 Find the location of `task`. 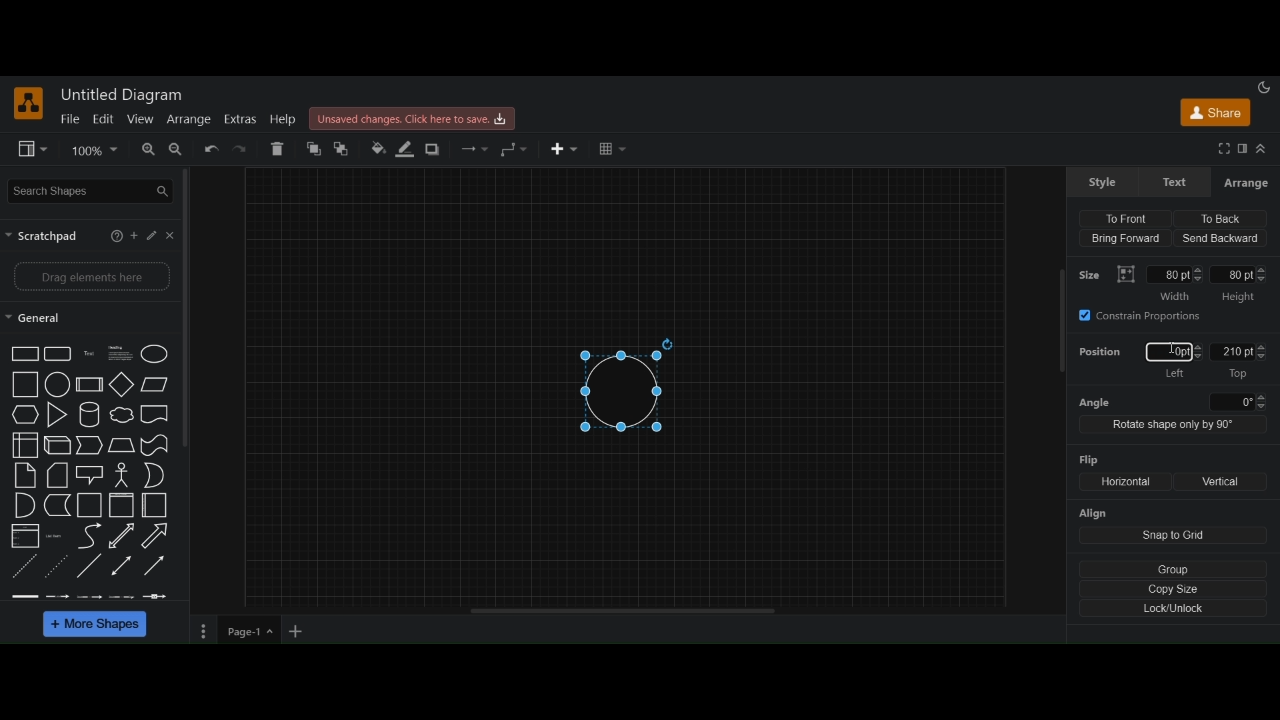

task is located at coordinates (91, 353).